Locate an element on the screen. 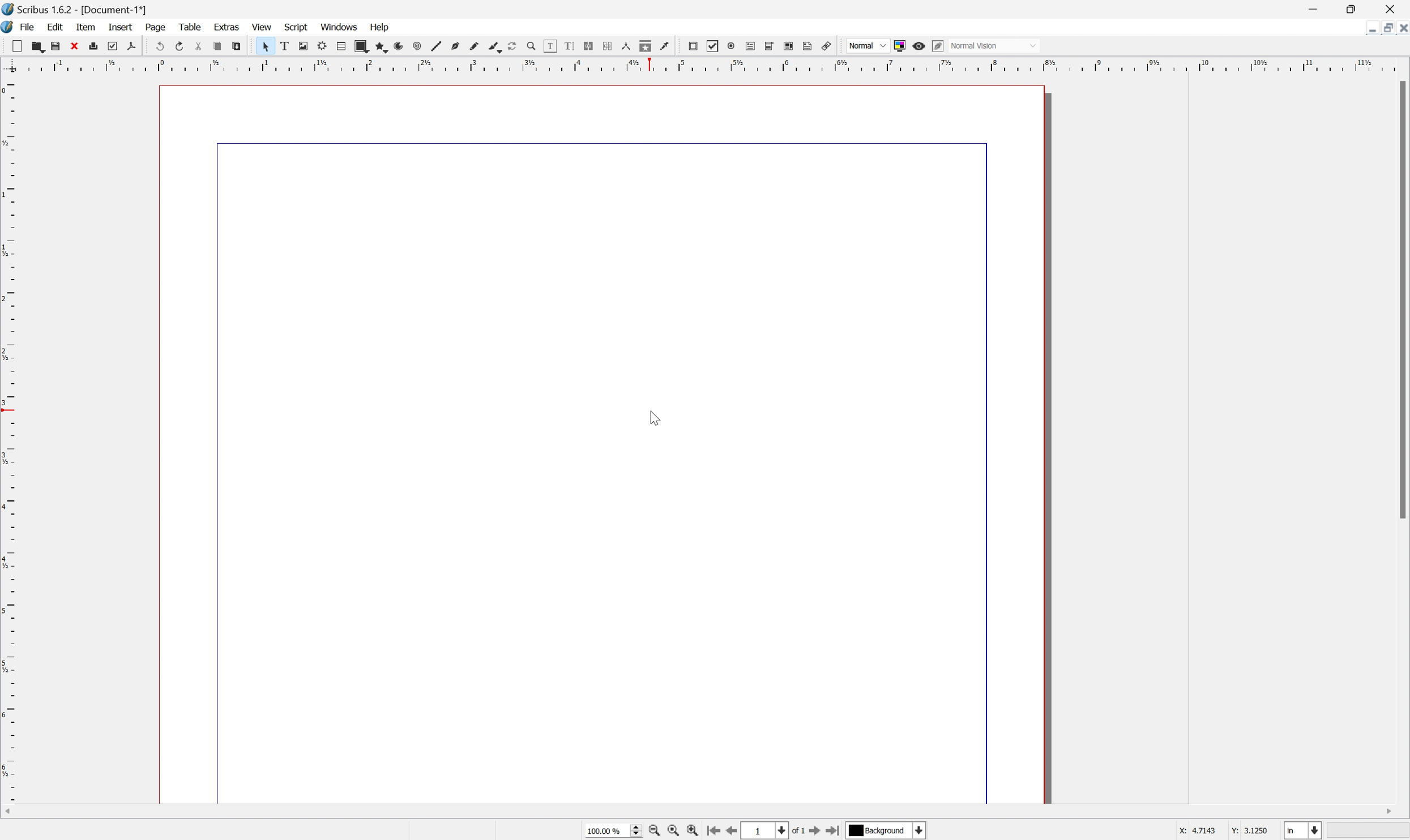 The width and height of the screenshot is (1410, 840). Zoom in or zoom out is located at coordinates (531, 47).